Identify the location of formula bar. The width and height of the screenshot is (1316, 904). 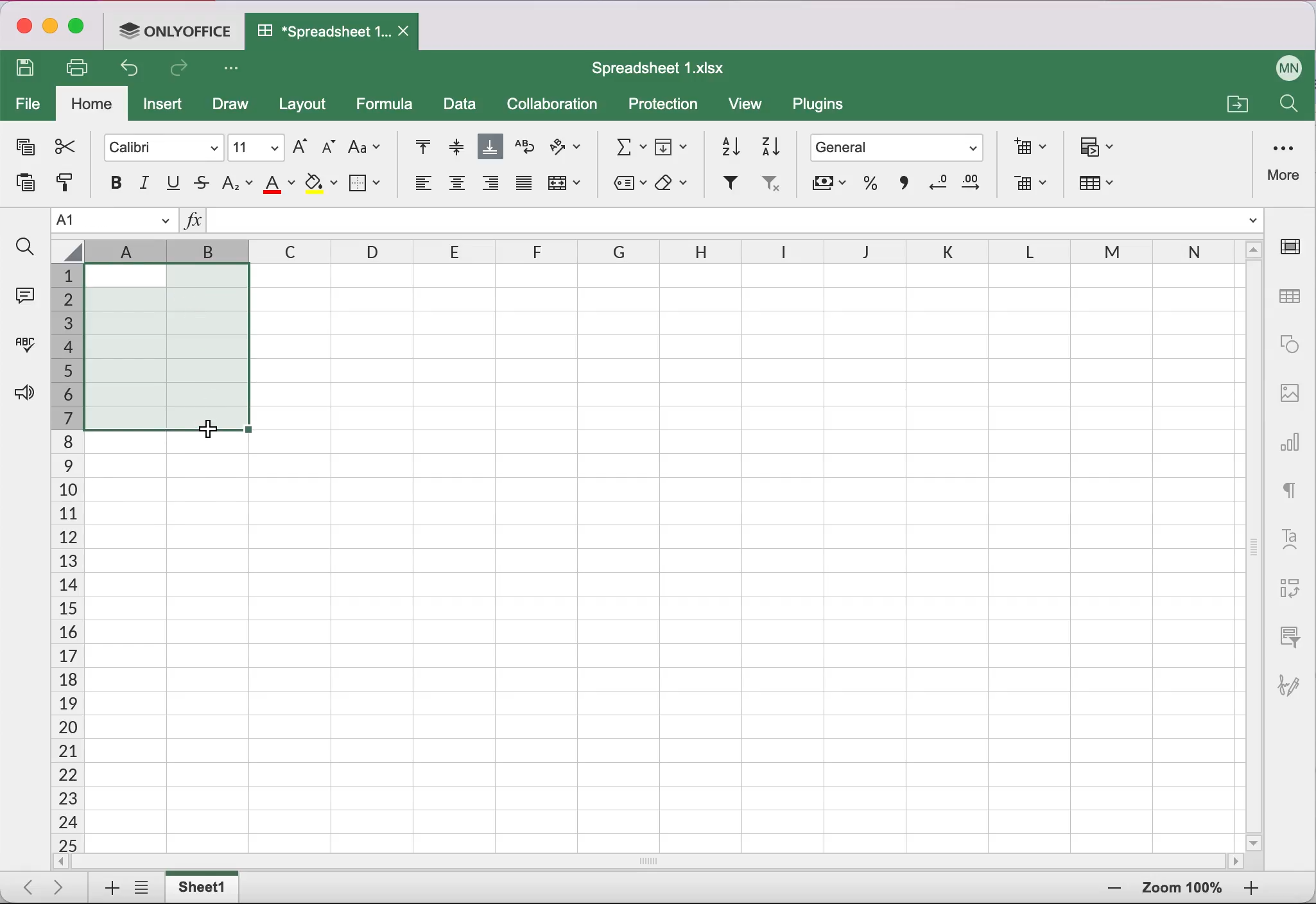
(737, 223).